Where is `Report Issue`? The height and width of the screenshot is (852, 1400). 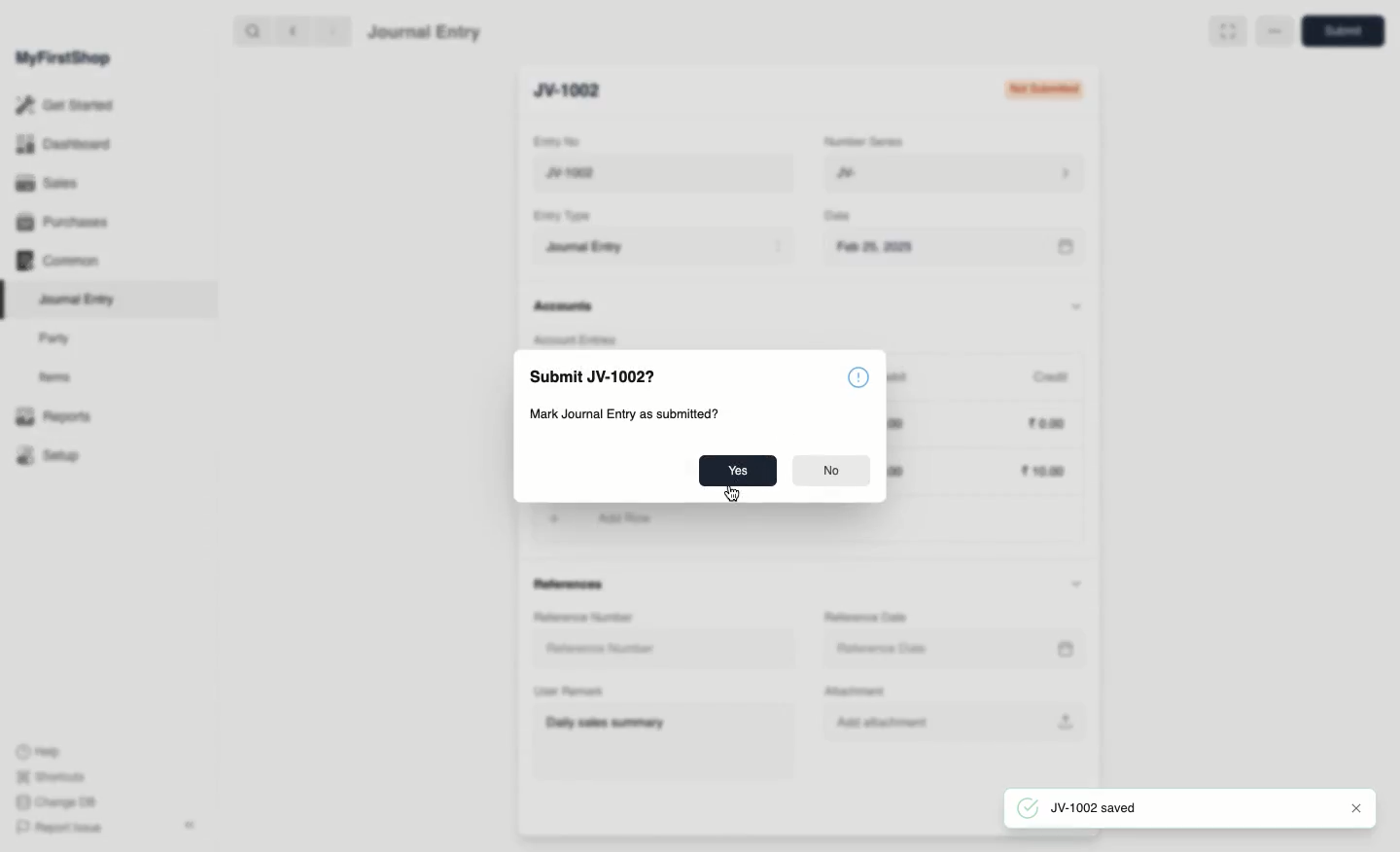
Report Issue is located at coordinates (57, 828).